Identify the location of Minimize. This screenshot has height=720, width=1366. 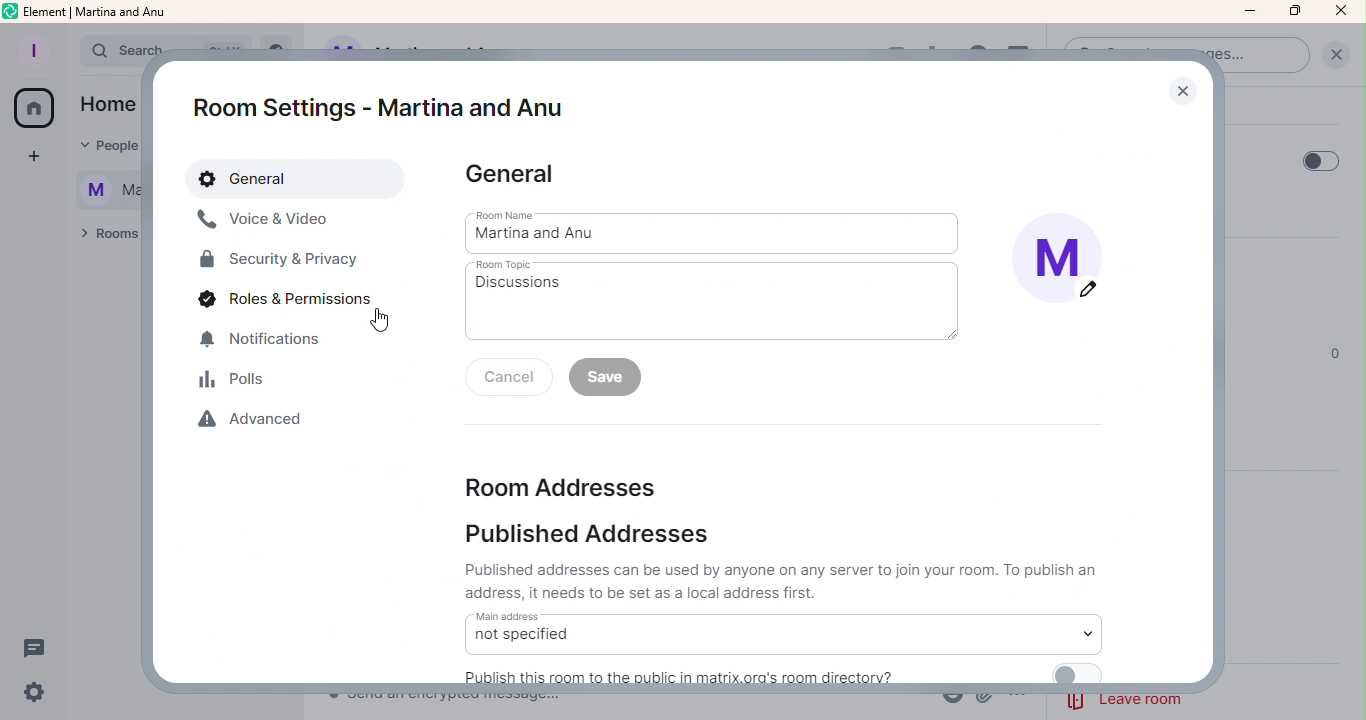
(1249, 11).